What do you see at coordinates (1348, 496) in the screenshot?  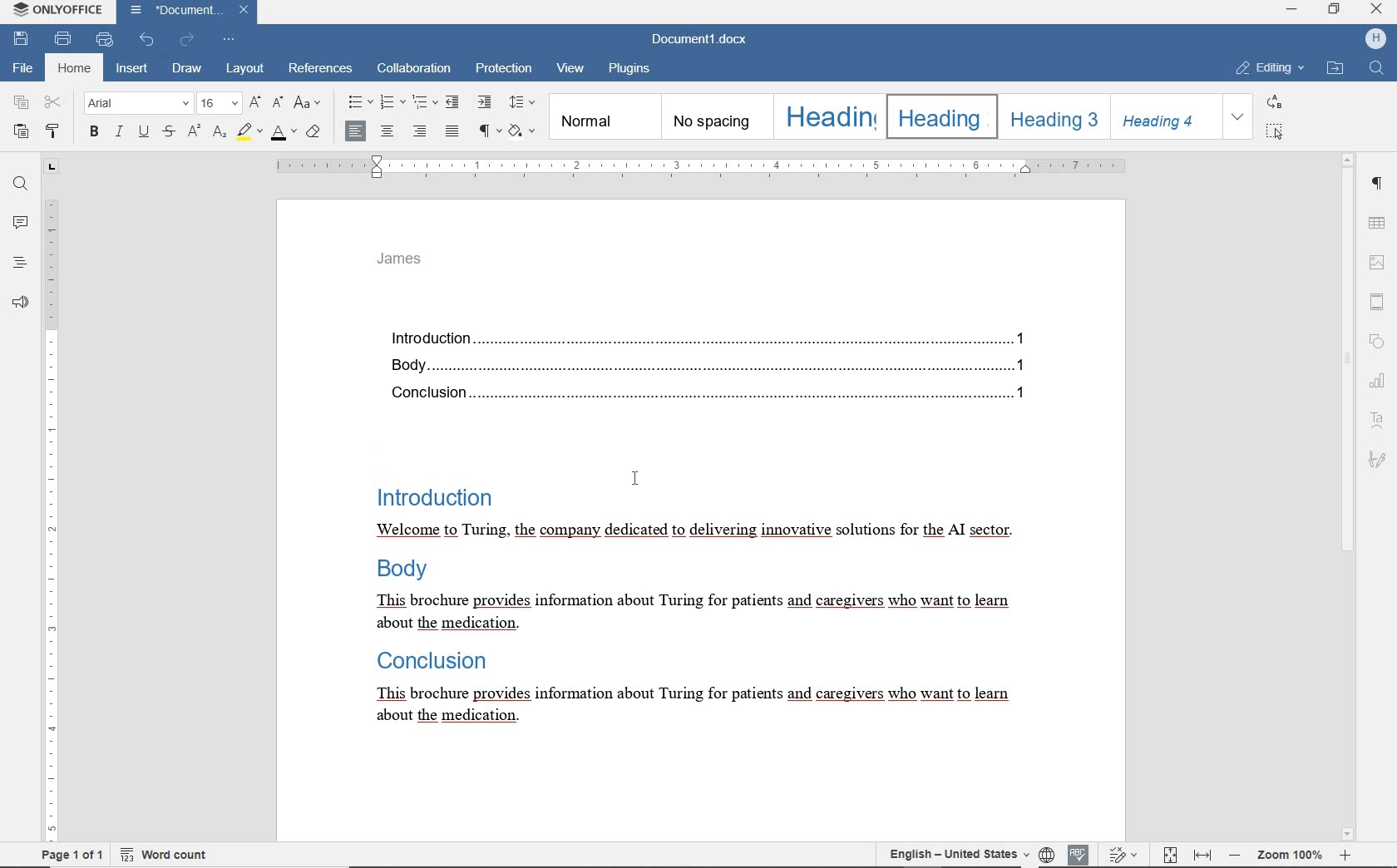 I see `scrollbar` at bounding box center [1348, 496].